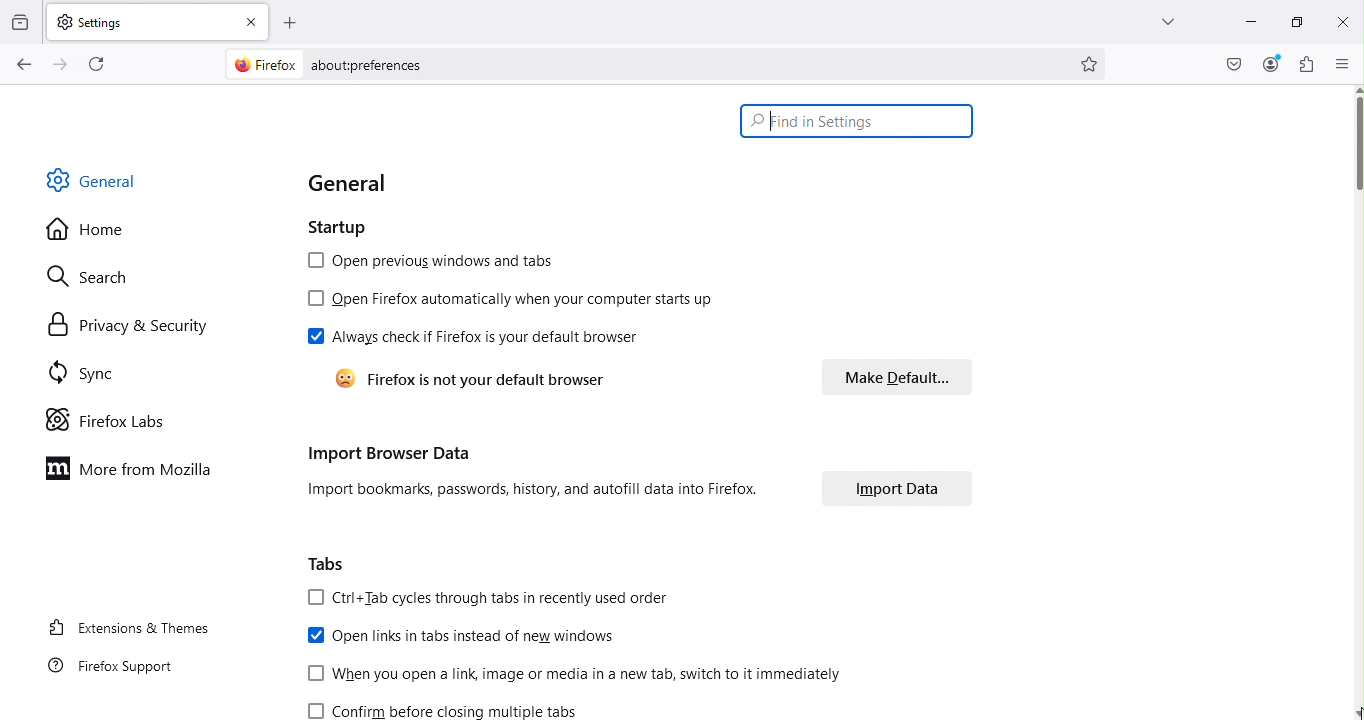 This screenshot has width=1364, height=720. Describe the element at coordinates (1091, 64) in the screenshot. I see `Bookmark` at that location.